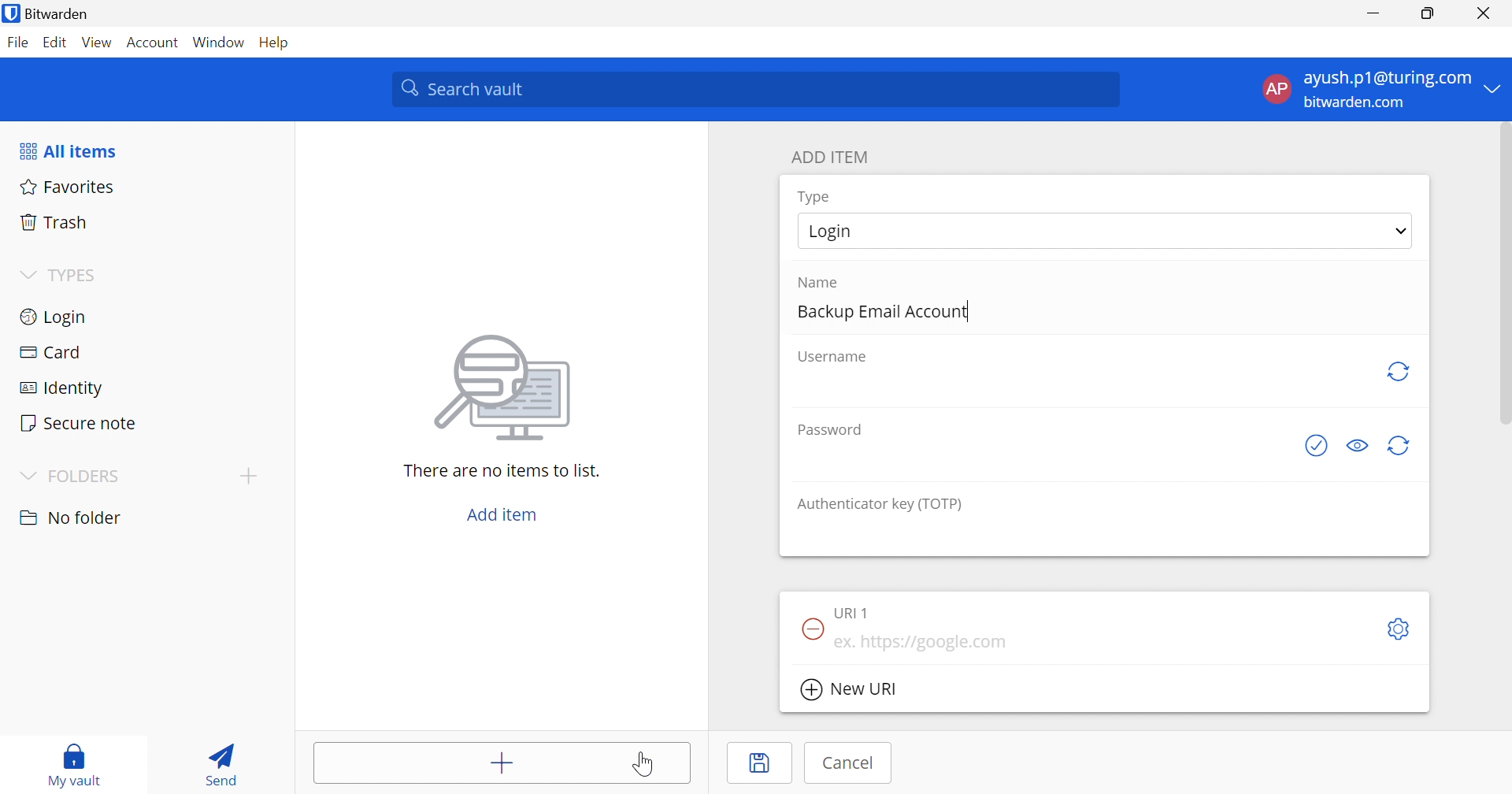 This screenshot has height=794, width=1512. I want to click on image, so click(503, 391).